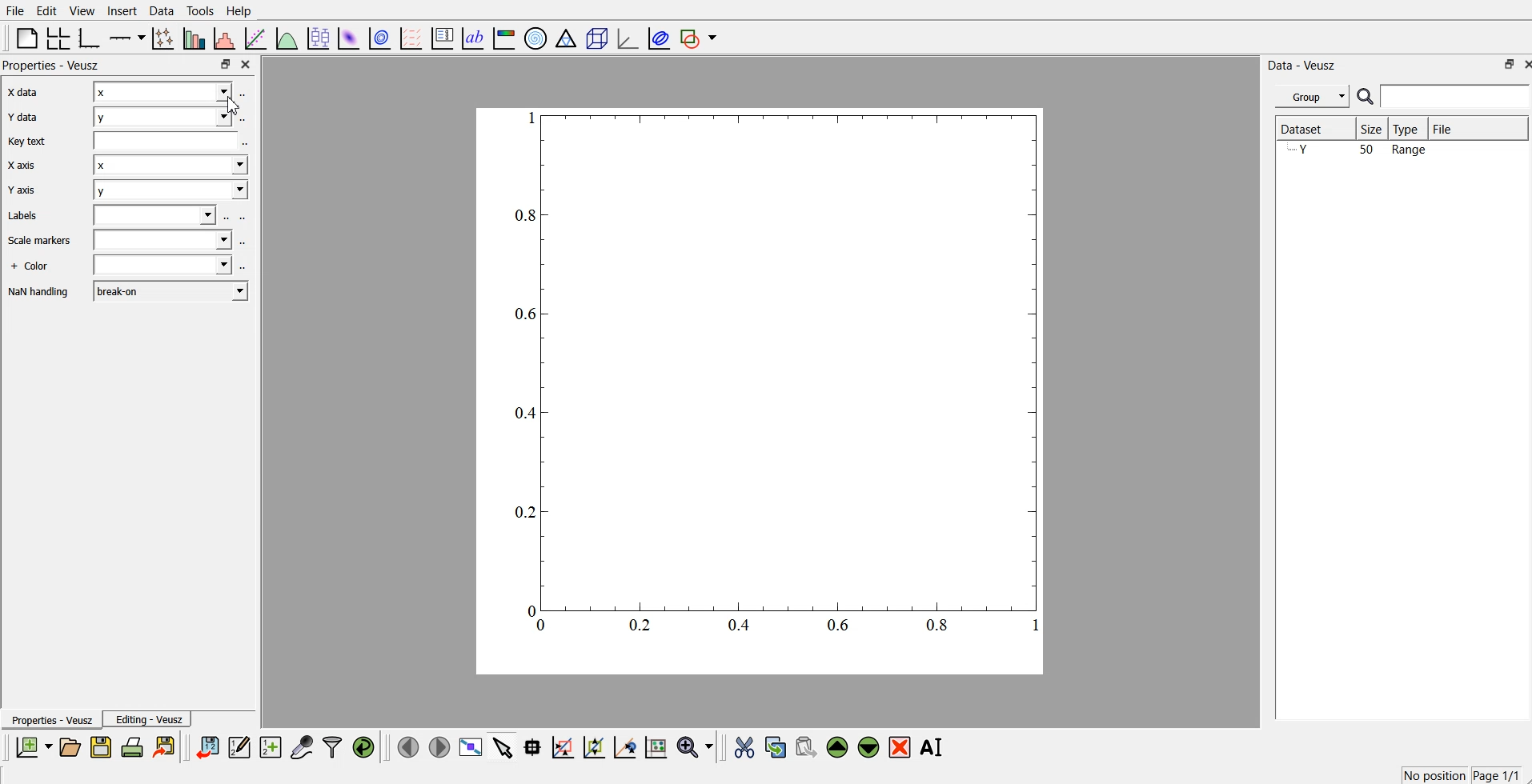  Describe the element at coordinates (225, 62) in the screenshot. I see `minimise` at that location.